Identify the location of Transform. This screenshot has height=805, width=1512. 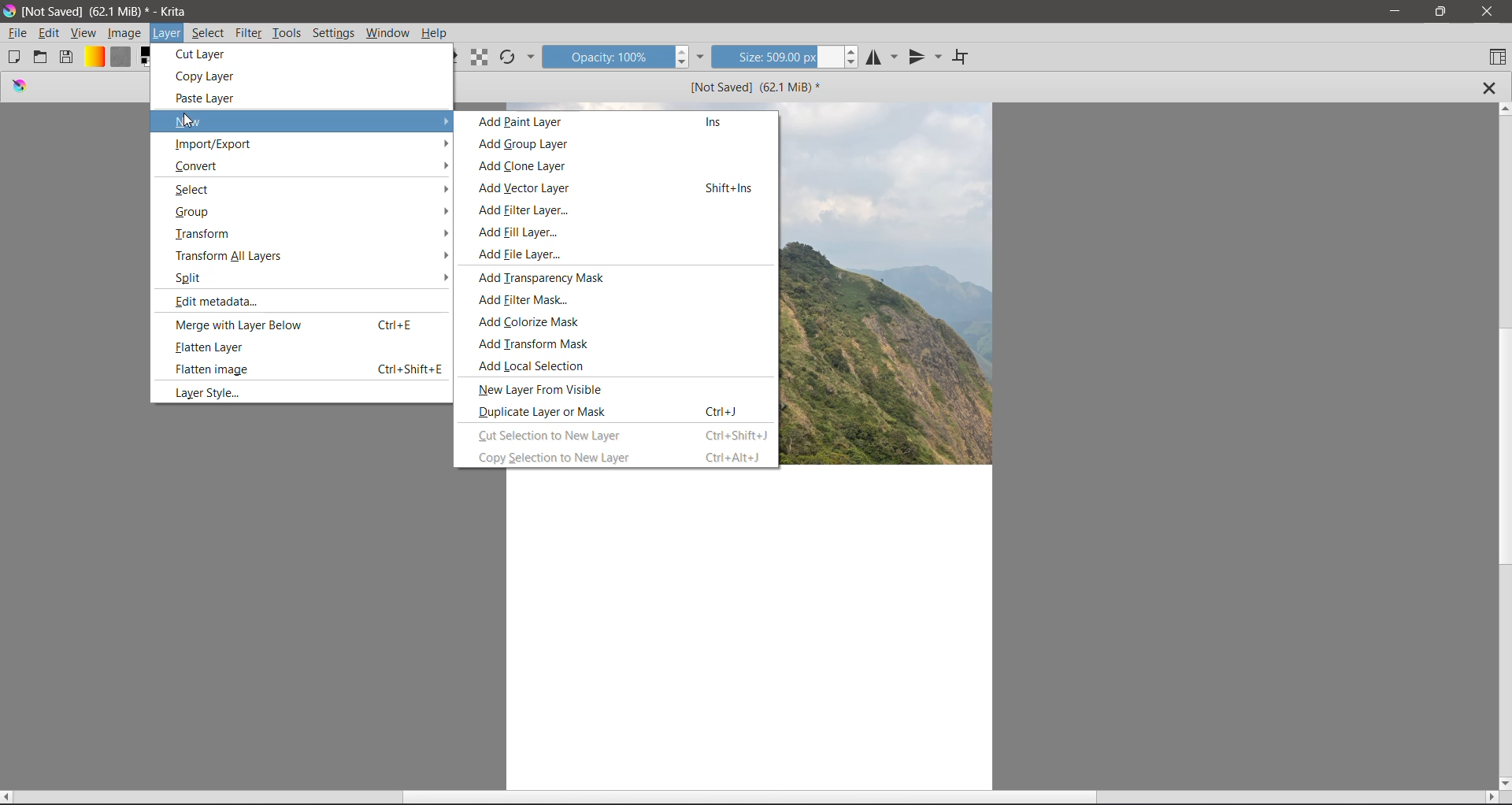
(313, 234).